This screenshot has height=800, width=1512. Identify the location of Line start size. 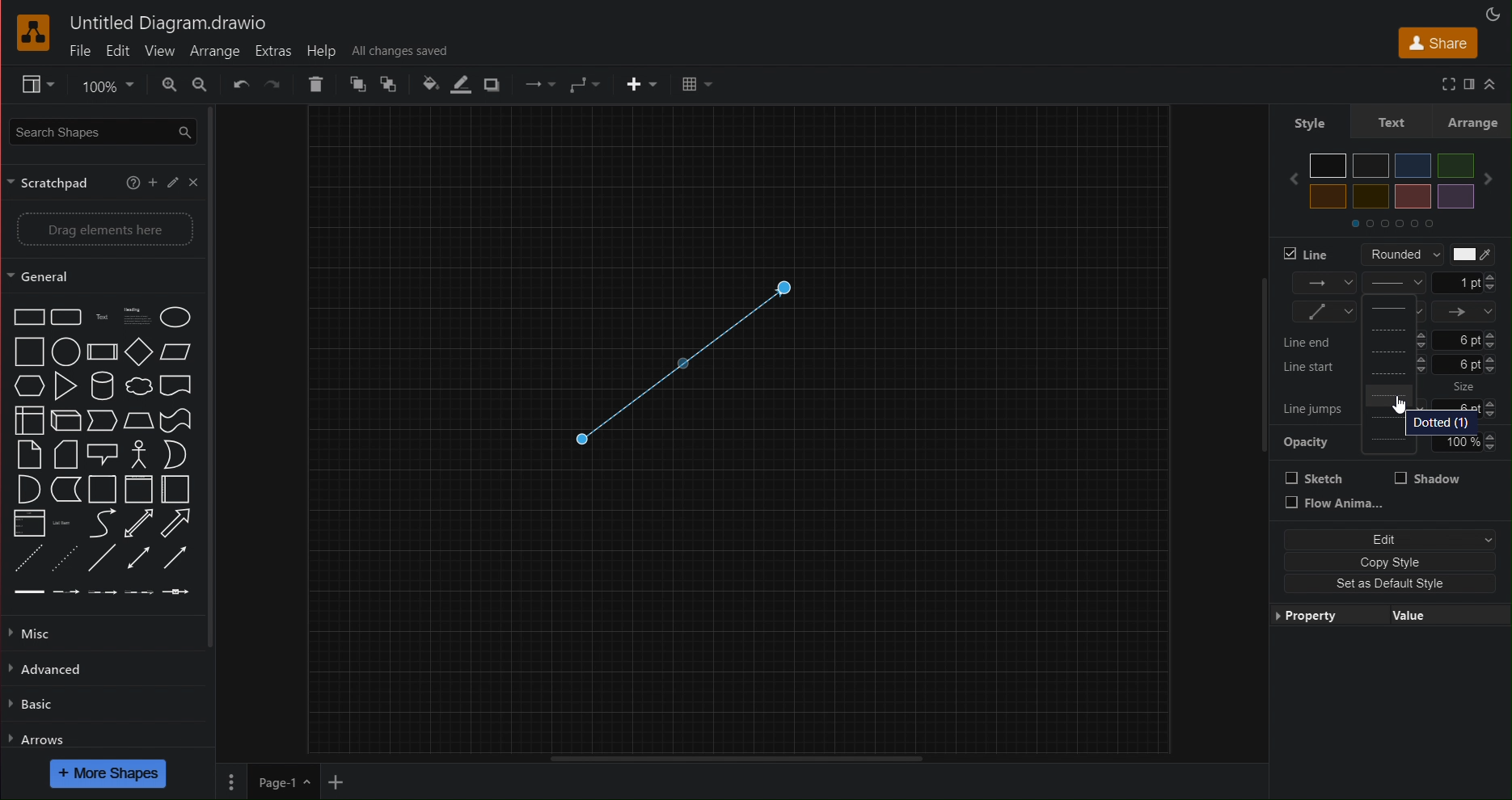
(1394, 366).